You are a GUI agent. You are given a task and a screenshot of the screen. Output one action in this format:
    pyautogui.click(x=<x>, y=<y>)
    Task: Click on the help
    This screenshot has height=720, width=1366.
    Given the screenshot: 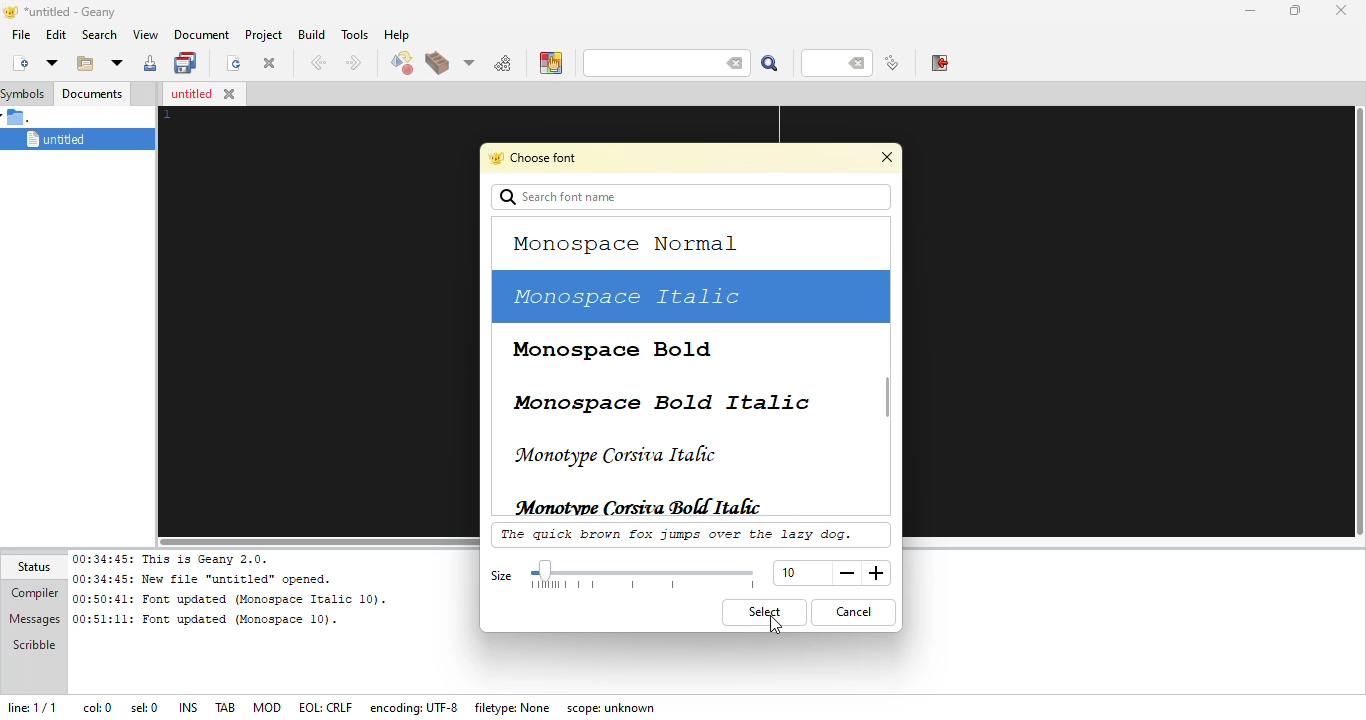 What is the action you would take?
    pyautogui.click(x=395, y=35)
    